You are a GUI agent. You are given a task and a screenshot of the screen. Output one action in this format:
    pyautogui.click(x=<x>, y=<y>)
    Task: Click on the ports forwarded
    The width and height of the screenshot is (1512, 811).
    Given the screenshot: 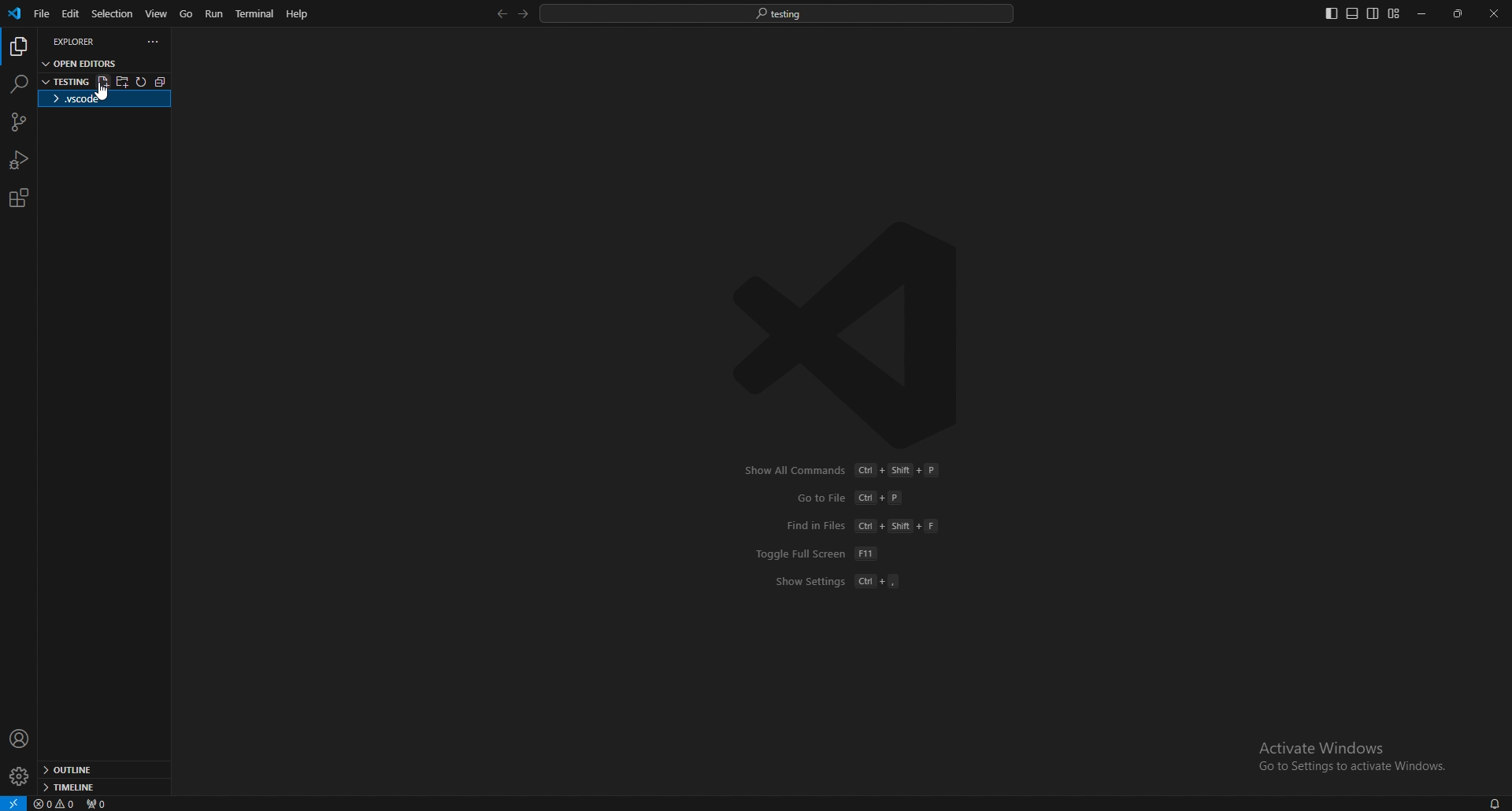 What is the action you would take?
    pyautogui.click(x=103, y=804)
    